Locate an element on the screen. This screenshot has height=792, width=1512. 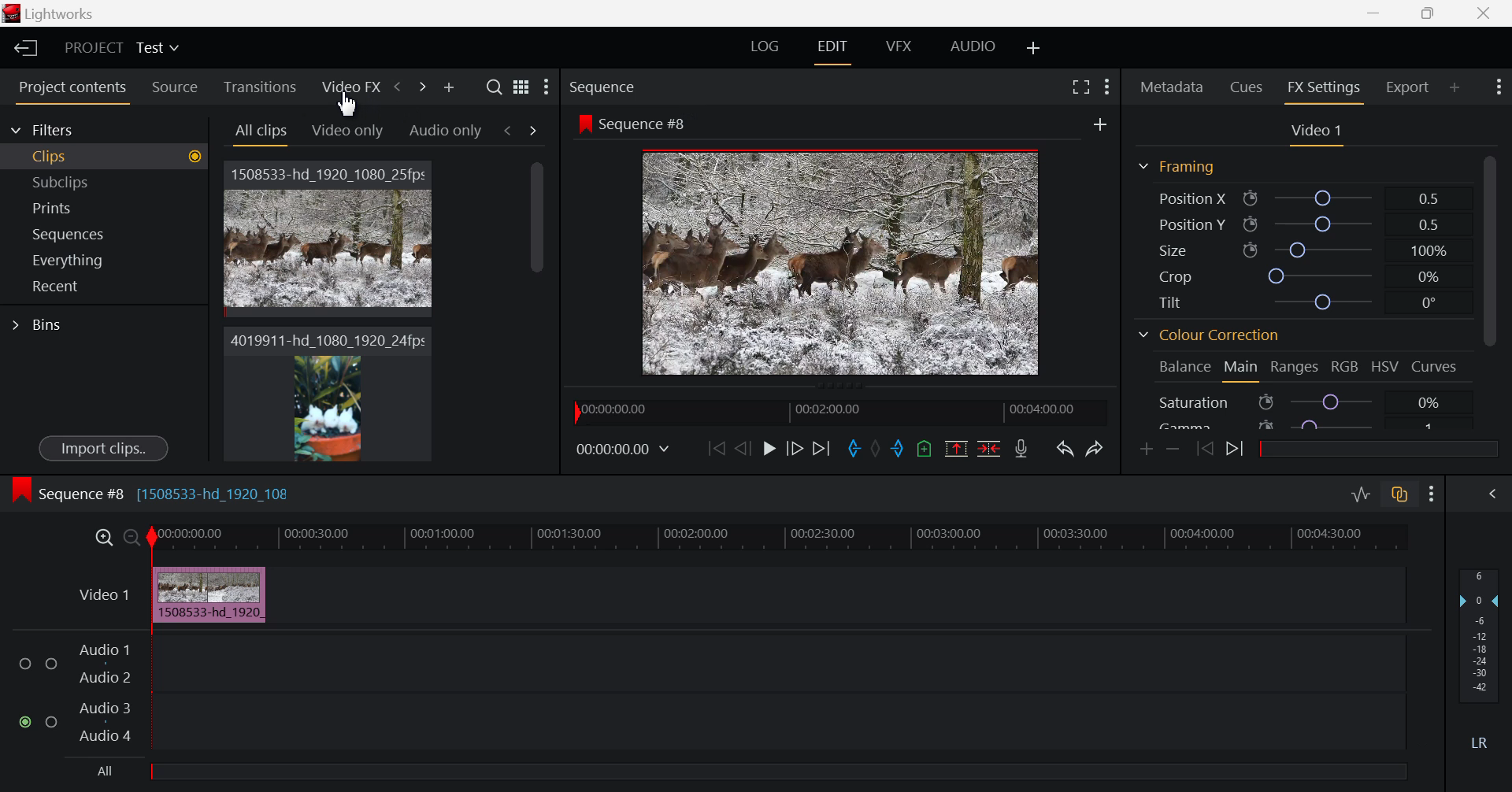
Full Screen is located at coordinates (1080, 89).